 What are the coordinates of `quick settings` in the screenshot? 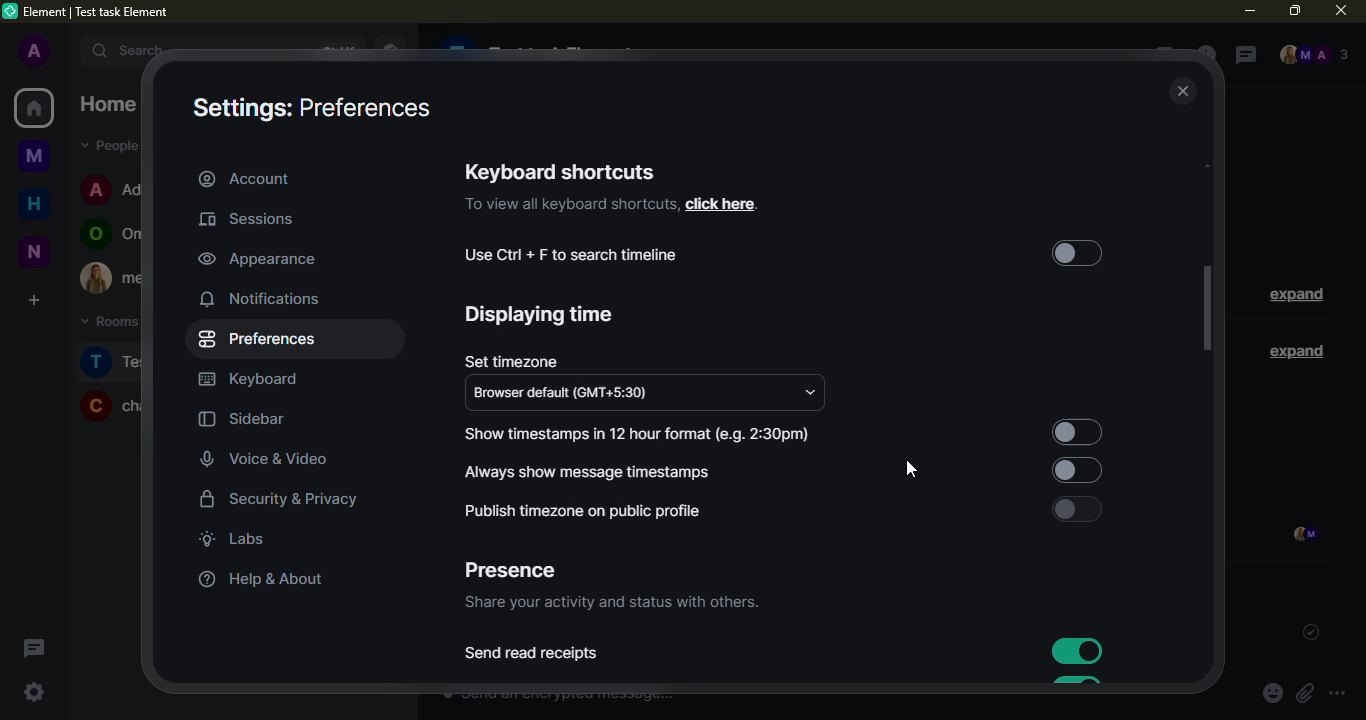 It's located at (34, 692).